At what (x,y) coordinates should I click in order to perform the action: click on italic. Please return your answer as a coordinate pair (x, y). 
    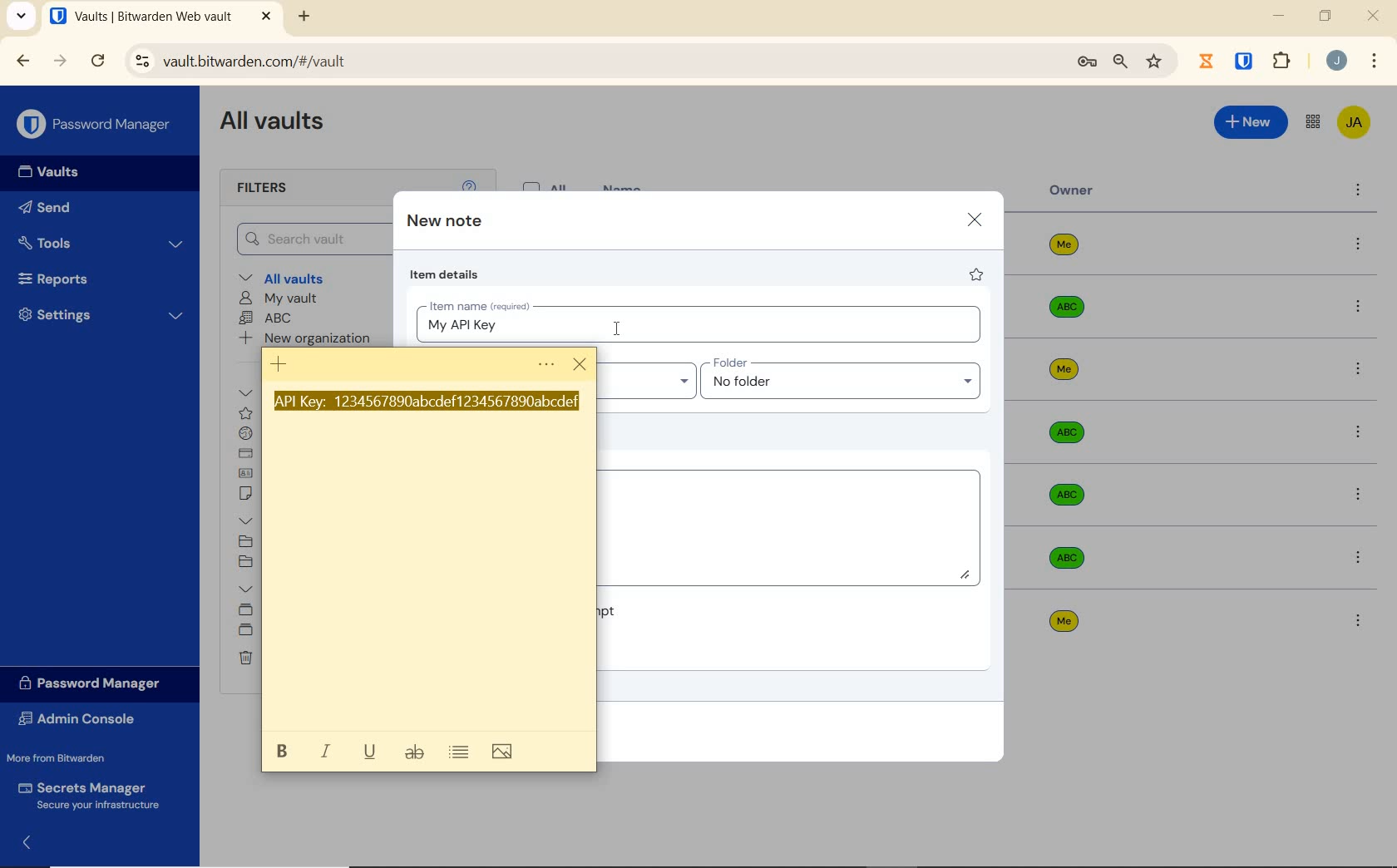
    Looking at the image, I should click on (328, 751).